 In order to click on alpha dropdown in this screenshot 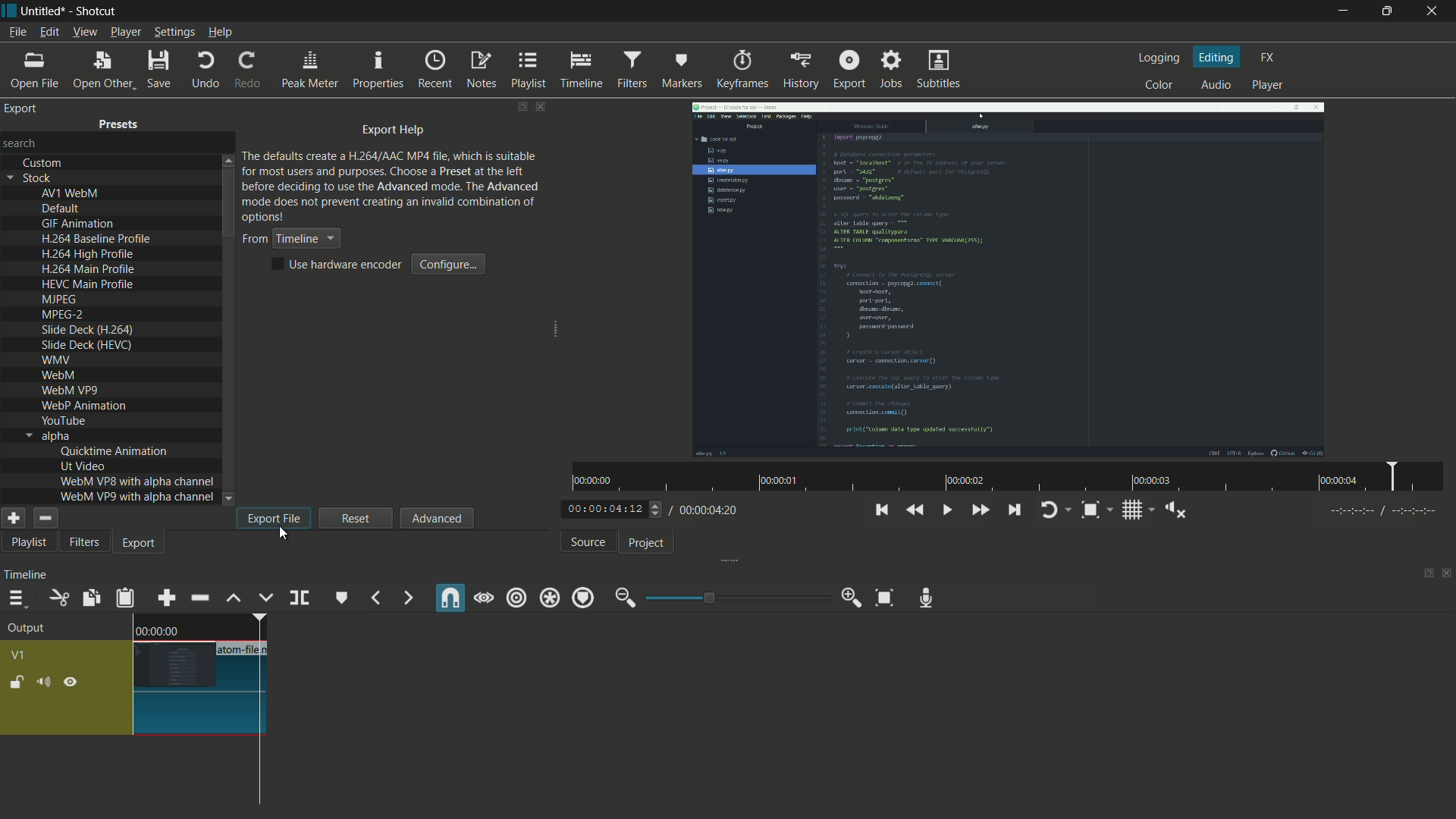, I will do `click(48, 436)`.